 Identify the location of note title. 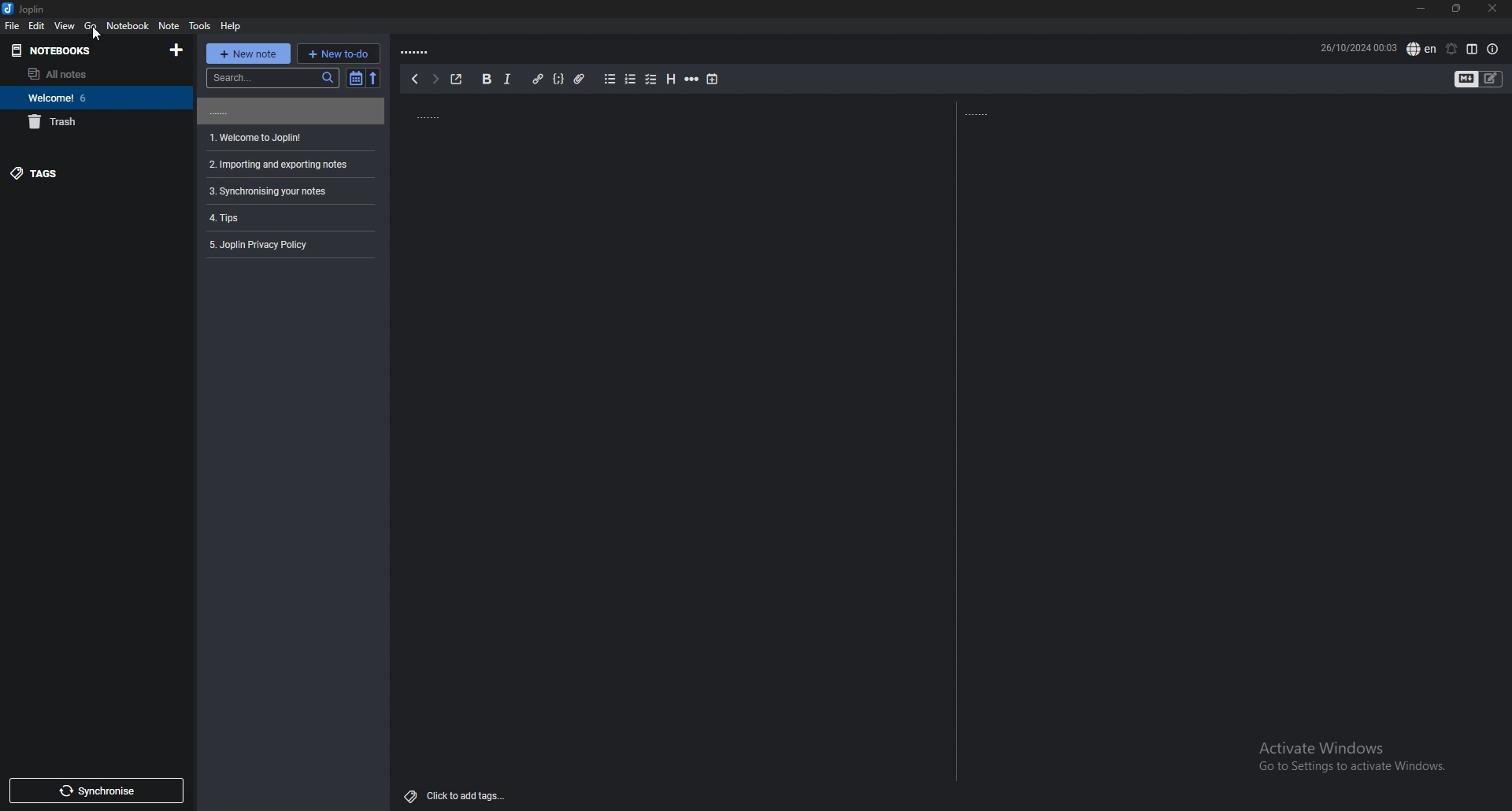
(473, 114).